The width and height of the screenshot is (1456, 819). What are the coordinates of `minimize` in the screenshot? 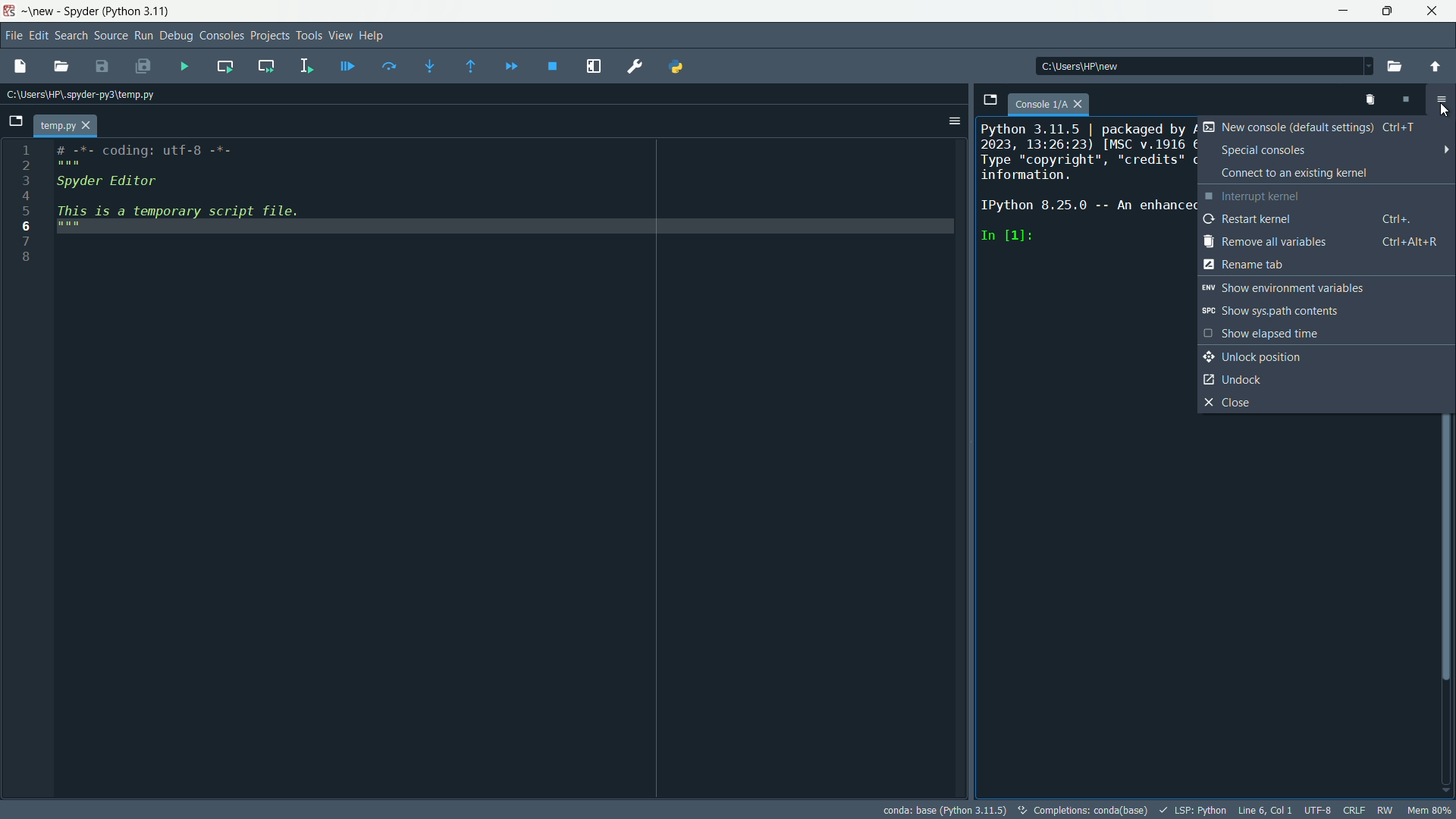 It's located at (1345, 11).